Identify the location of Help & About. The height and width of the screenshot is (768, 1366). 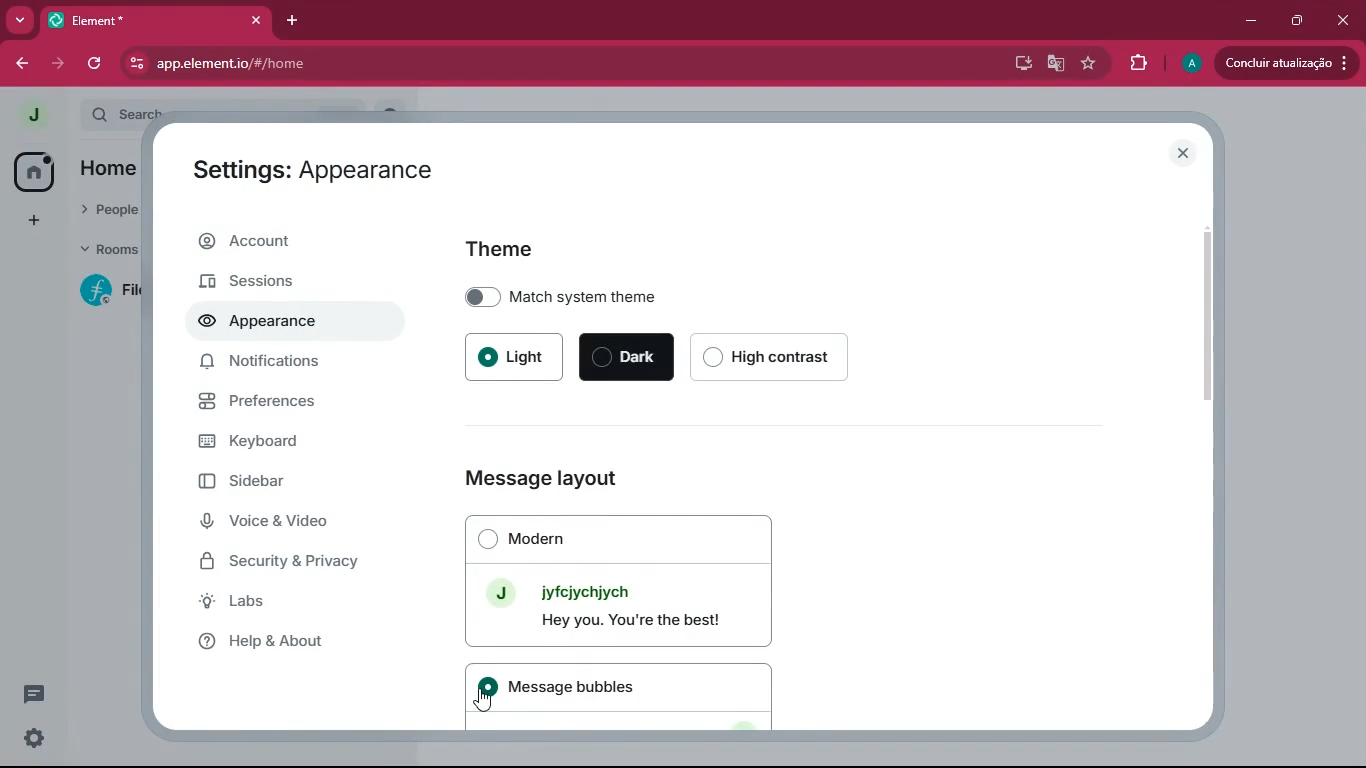
(266, 643).